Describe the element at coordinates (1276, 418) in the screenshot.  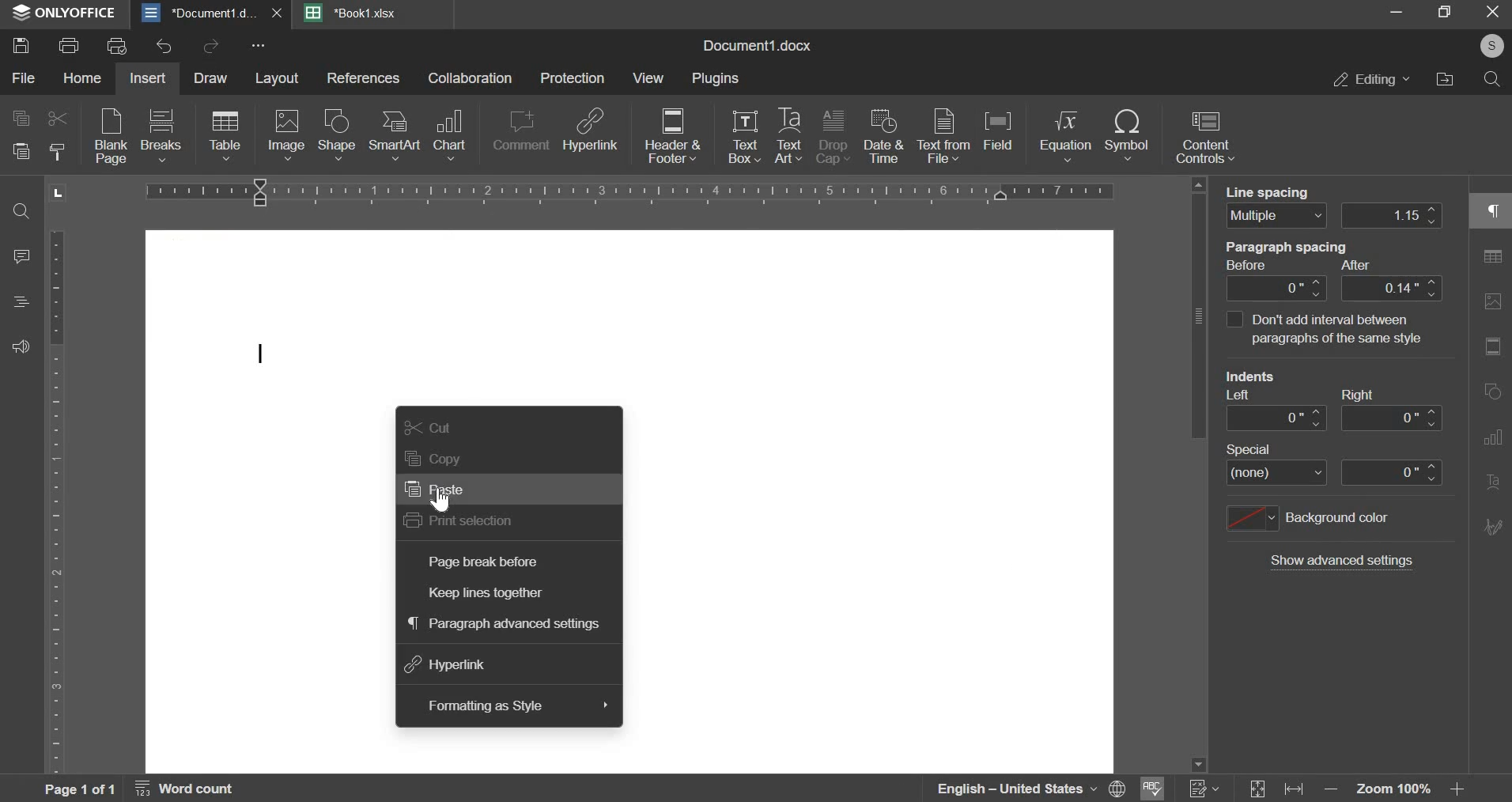
I see `left indent` at that location.